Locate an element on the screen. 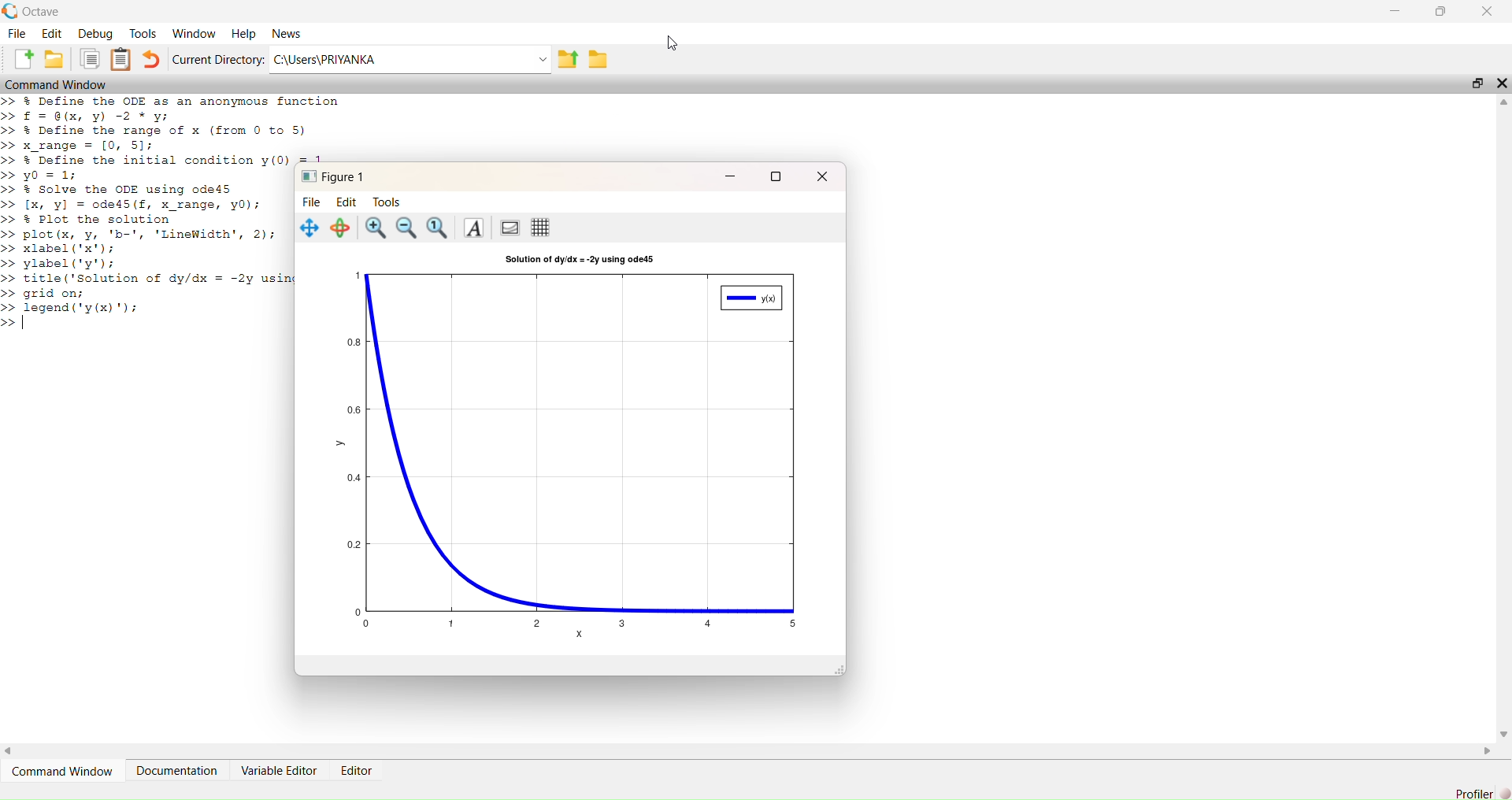  Copy is located at coordinates (88, 59).